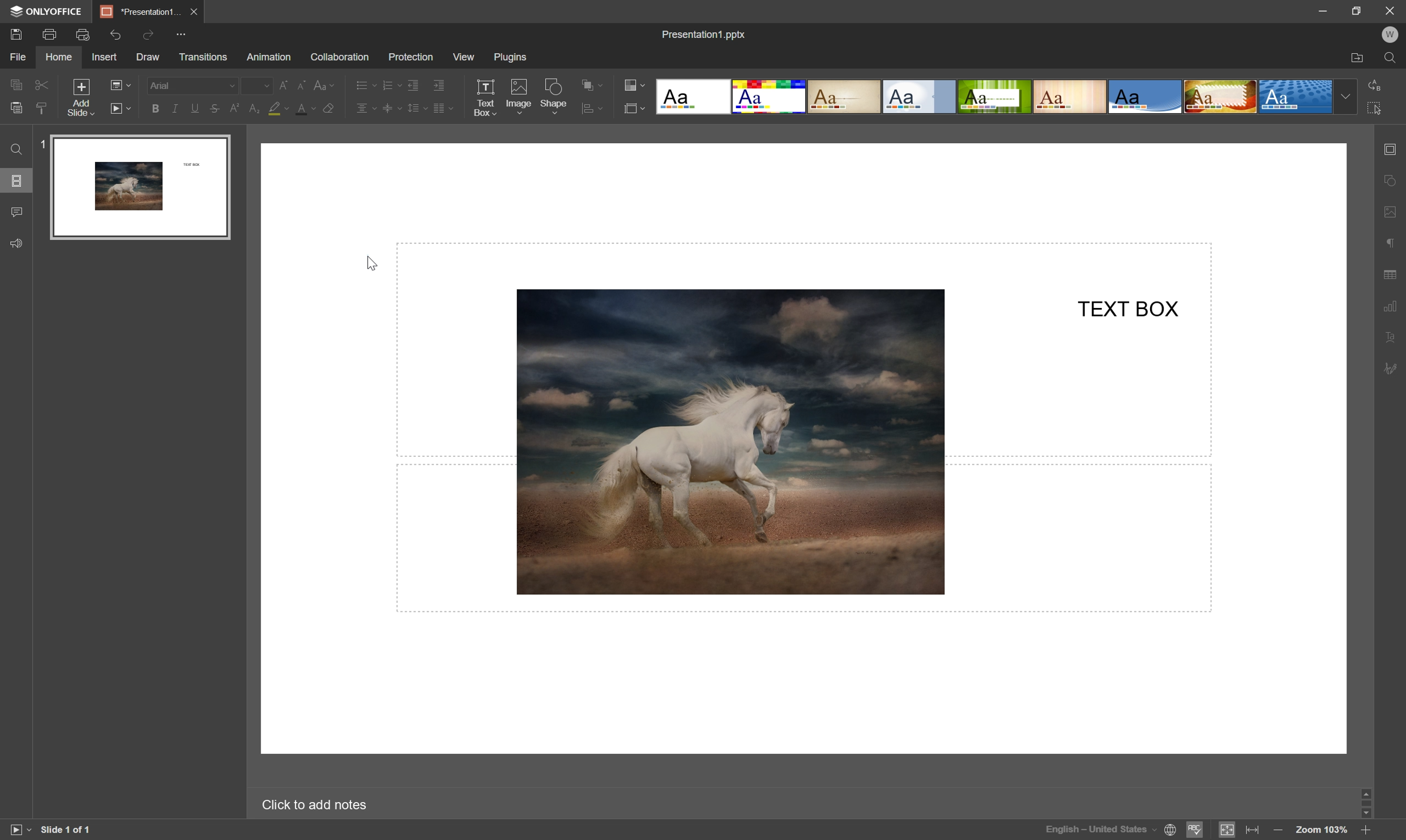  Describe the element at coordinates (1392, 59) in the screenshot. I see `find` at that location.